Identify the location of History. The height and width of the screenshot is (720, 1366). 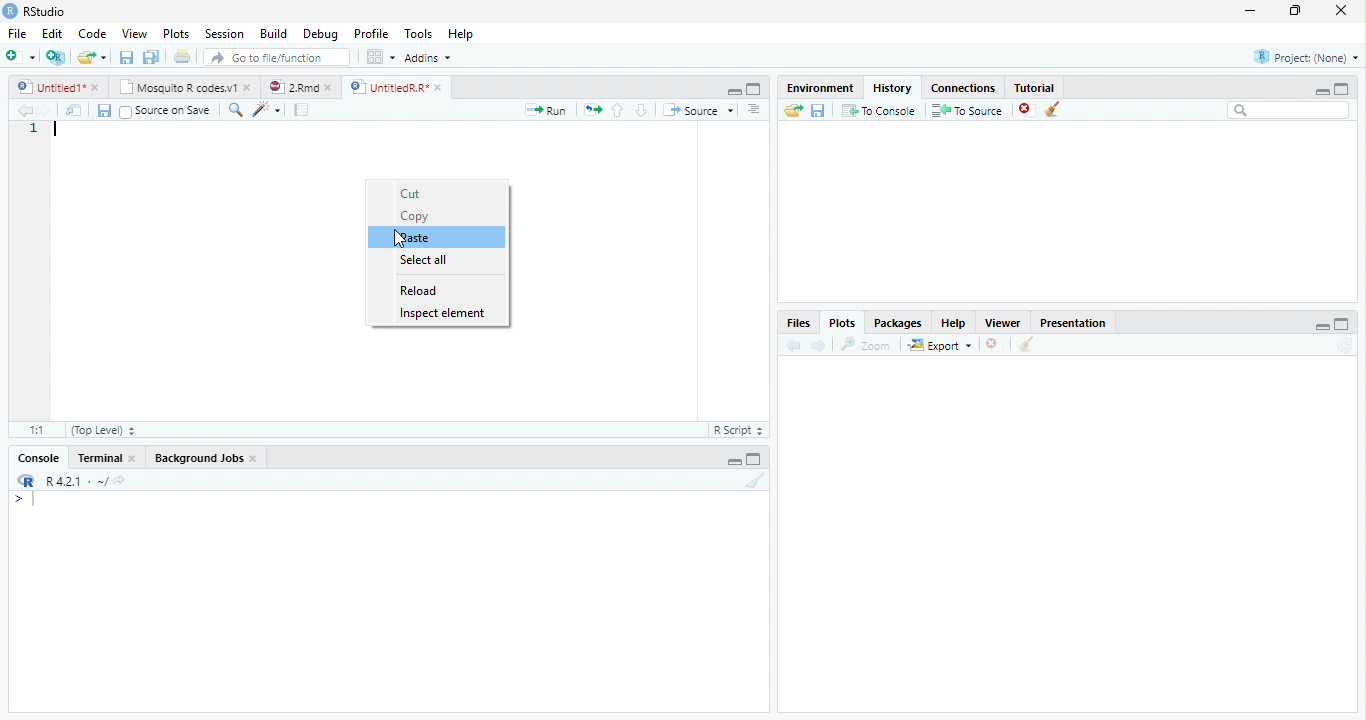
(892, 88).